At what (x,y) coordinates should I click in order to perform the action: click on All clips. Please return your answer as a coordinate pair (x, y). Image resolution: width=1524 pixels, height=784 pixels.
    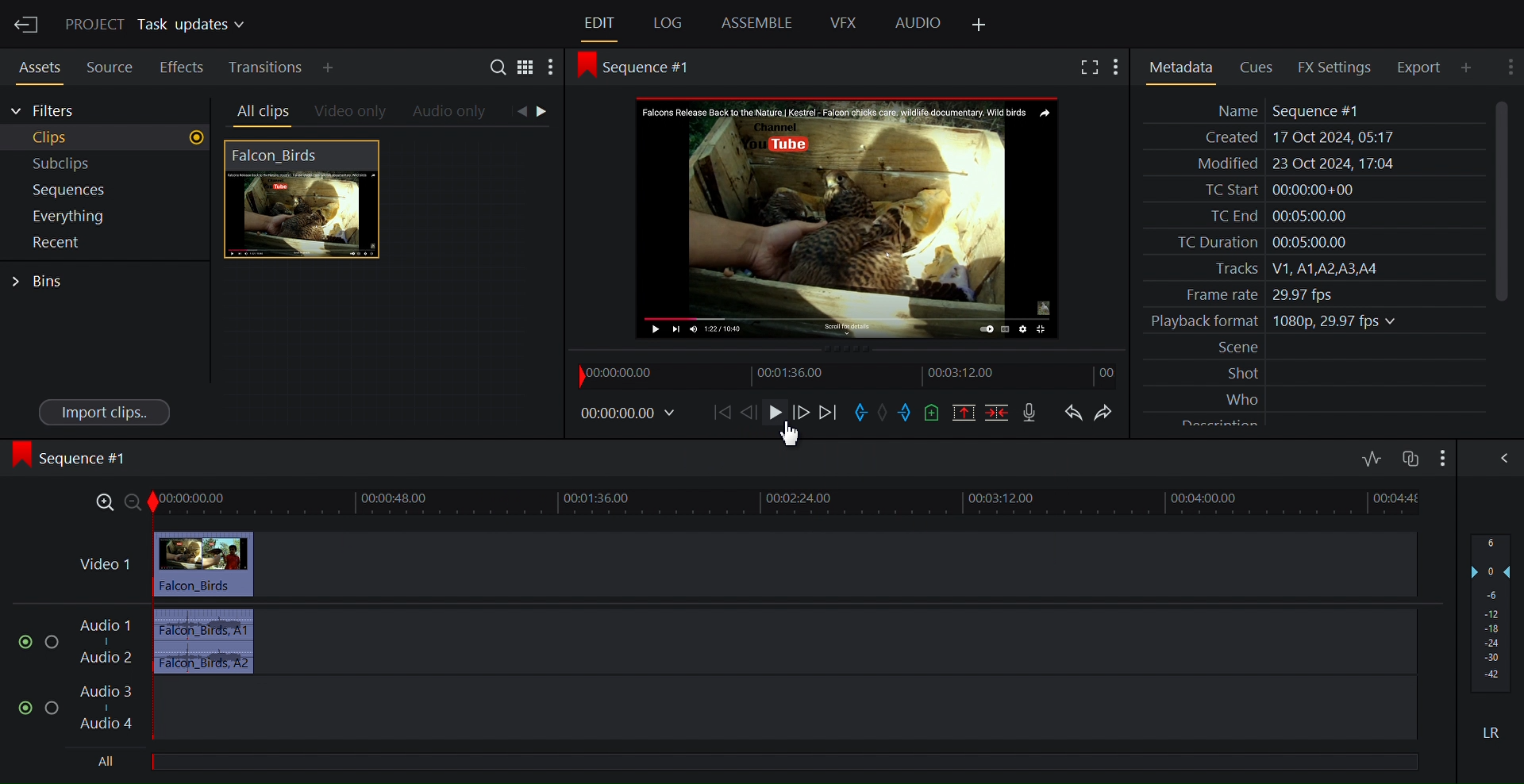
    Looking at the image, I should click on (260, 112).